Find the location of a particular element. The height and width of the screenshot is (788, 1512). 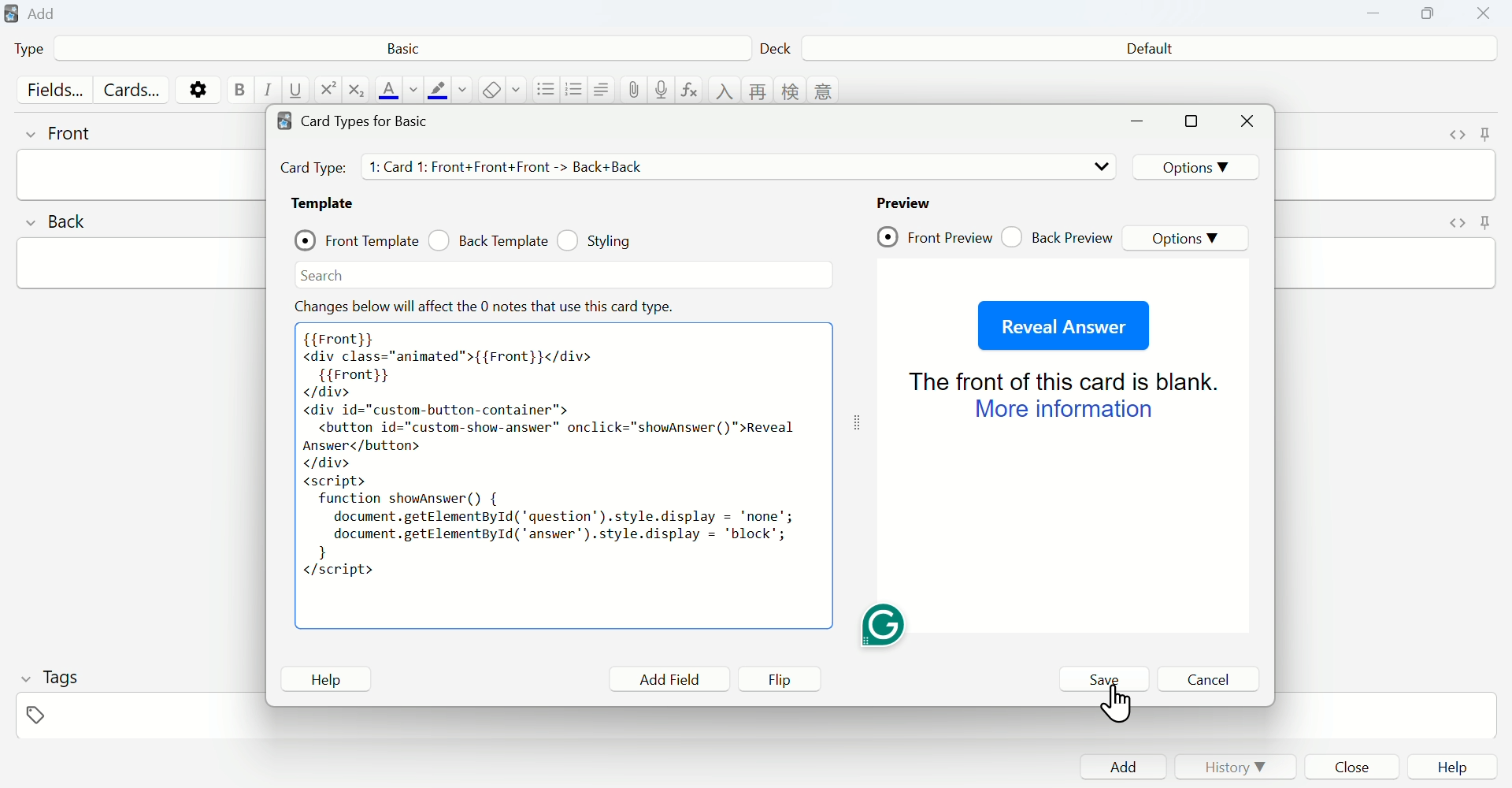

pasted code is located at coordinates (562, 476).